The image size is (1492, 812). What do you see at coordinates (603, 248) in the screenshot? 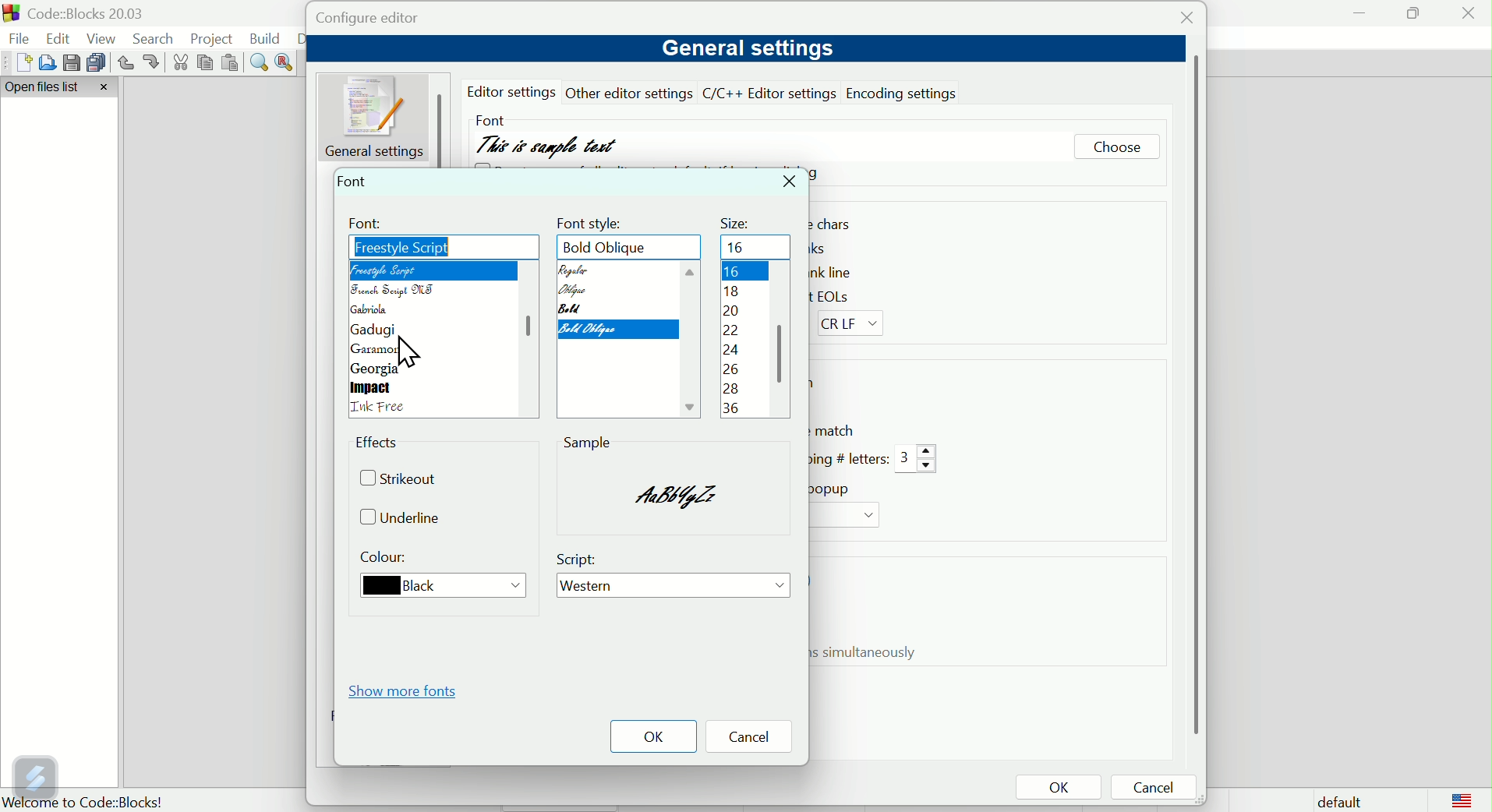
I see `Bold oblique` at bounding box center [603, 248].